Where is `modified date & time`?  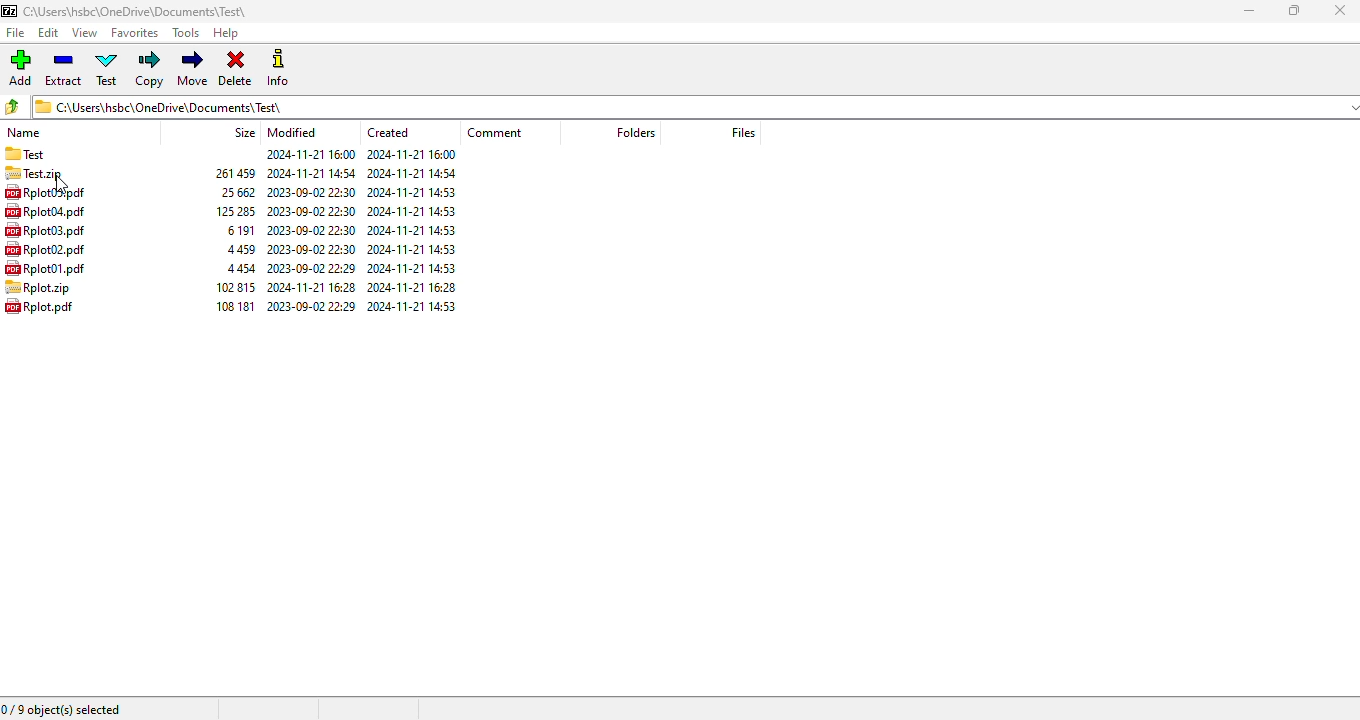
modified date & time is located at coordinates (311, 306).